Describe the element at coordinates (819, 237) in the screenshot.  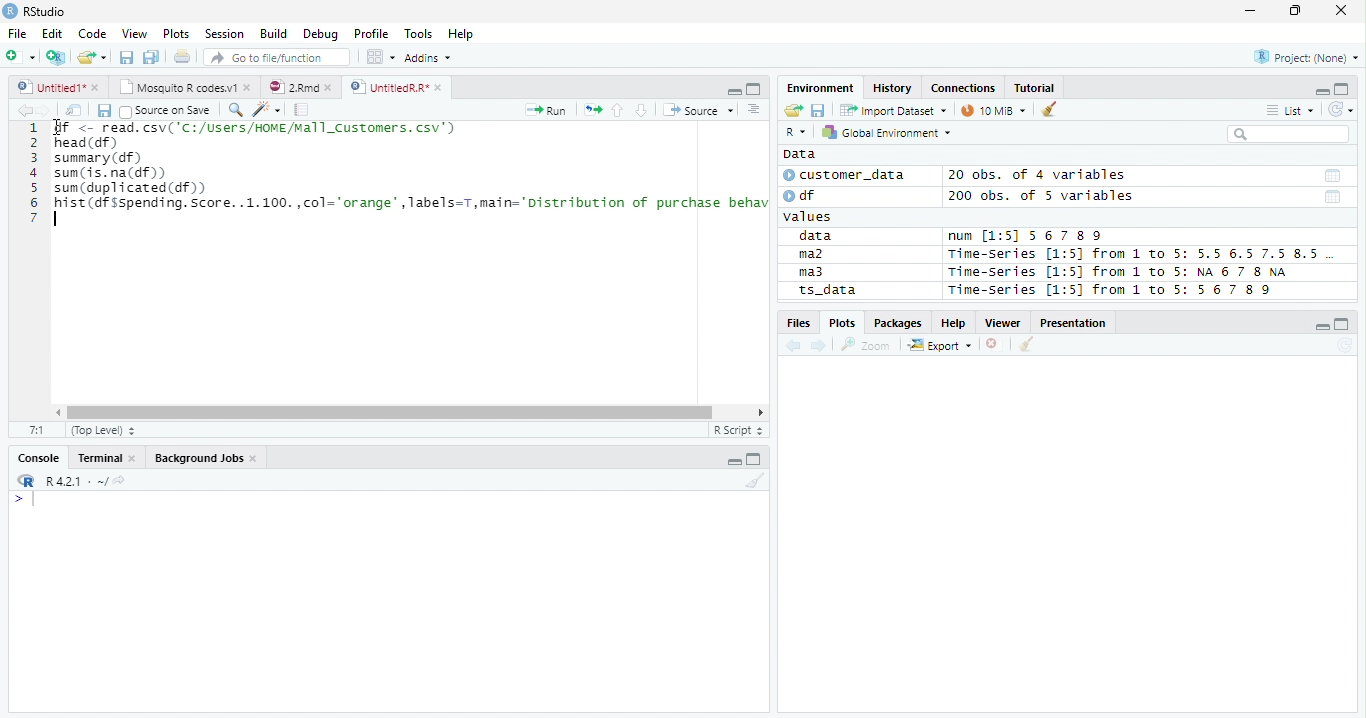
I see `data` at that location.